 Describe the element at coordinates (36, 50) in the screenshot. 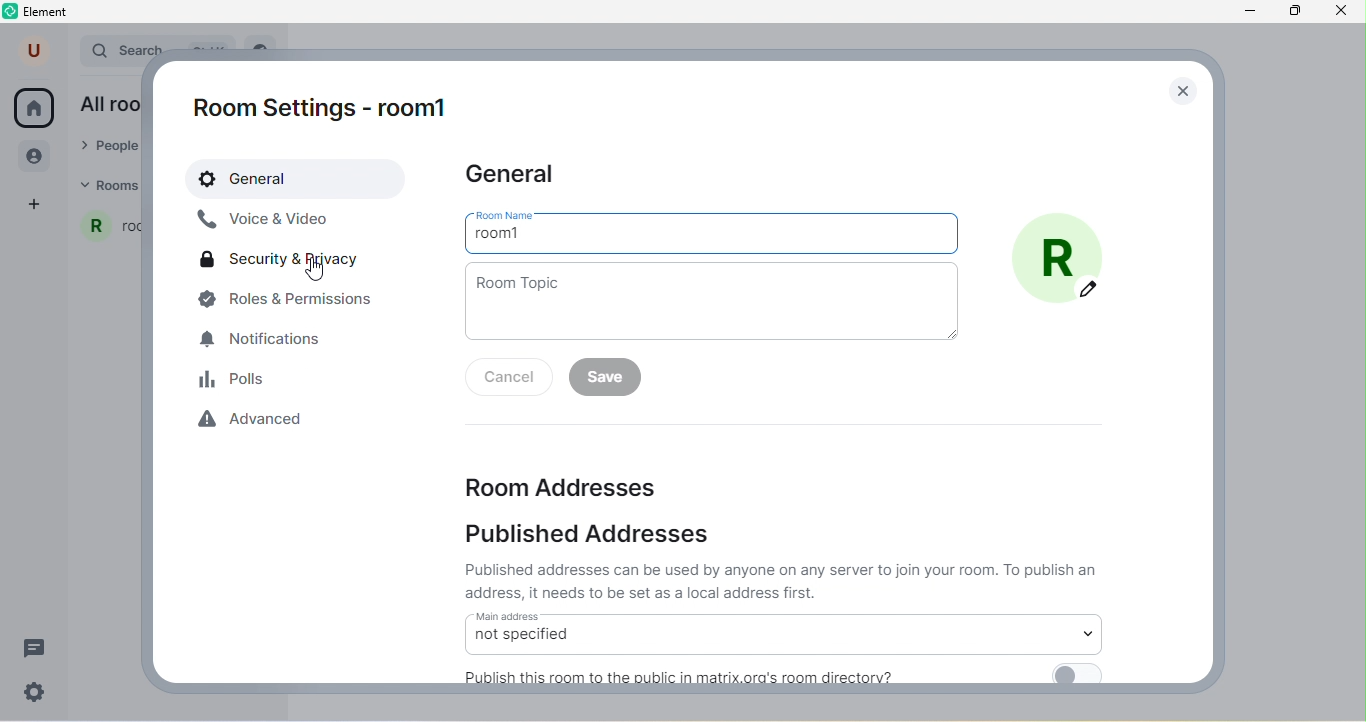

I see `user` at that location.